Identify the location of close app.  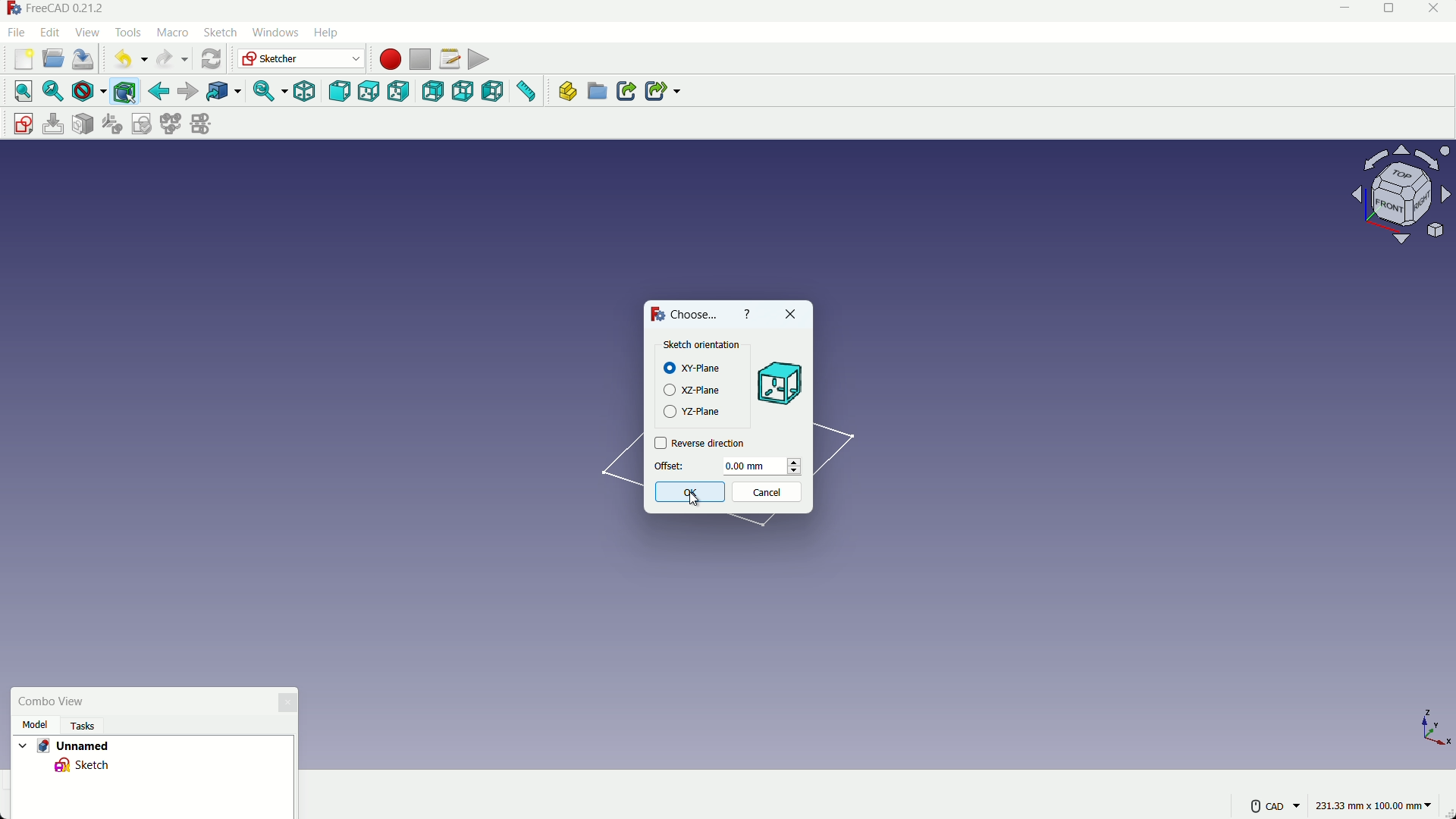
(1439, 11).